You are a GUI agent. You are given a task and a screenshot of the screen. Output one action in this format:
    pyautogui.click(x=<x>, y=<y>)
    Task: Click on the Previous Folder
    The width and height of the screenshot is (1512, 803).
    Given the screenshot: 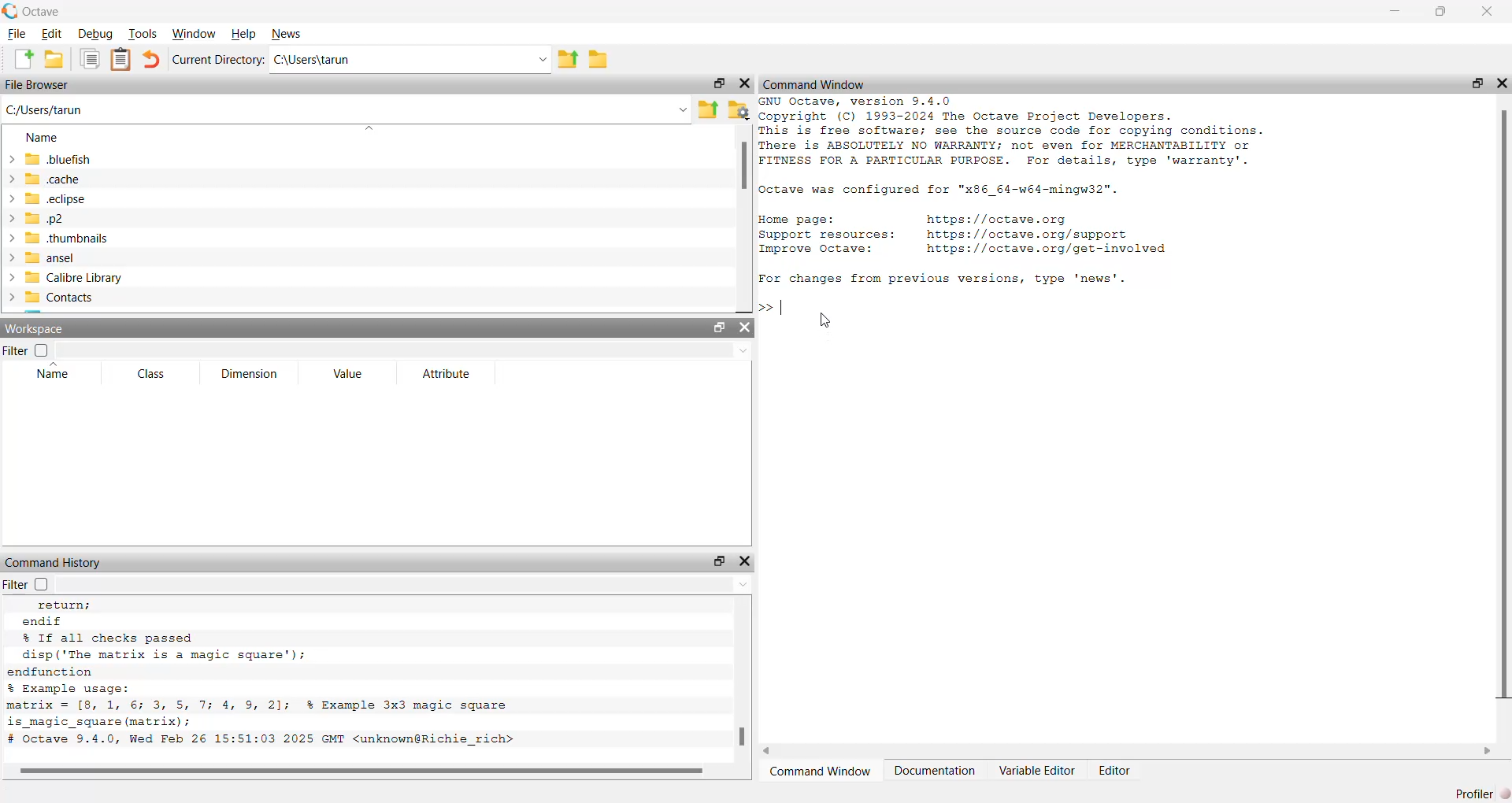 What is the action you would take?
    pyautogui.click(x=709, y=109)
    